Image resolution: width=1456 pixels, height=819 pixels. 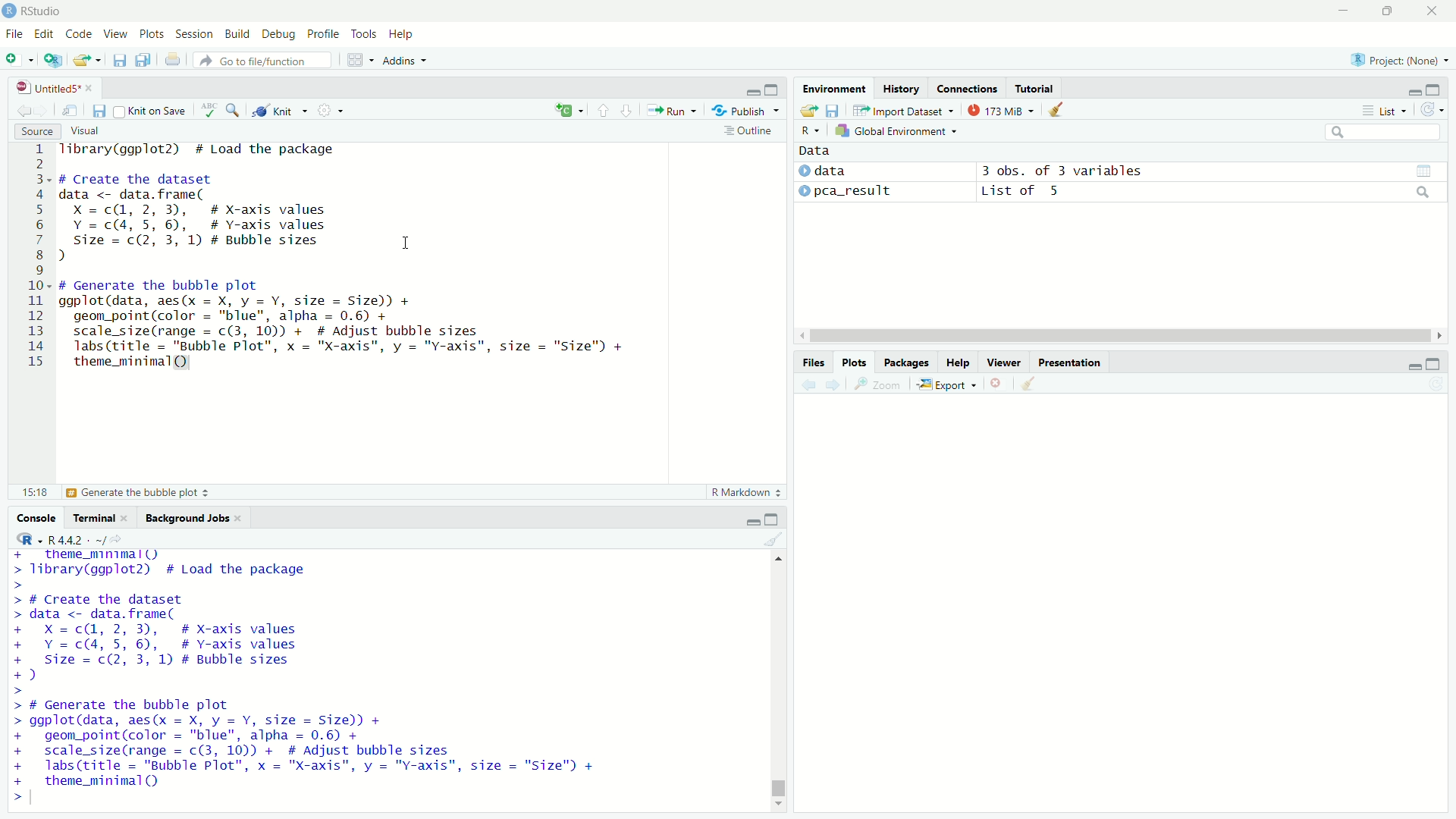 What do you see at coordinates (209, 110) in the screenshot?
I see `spelling check` at bounding box center [209, 110].